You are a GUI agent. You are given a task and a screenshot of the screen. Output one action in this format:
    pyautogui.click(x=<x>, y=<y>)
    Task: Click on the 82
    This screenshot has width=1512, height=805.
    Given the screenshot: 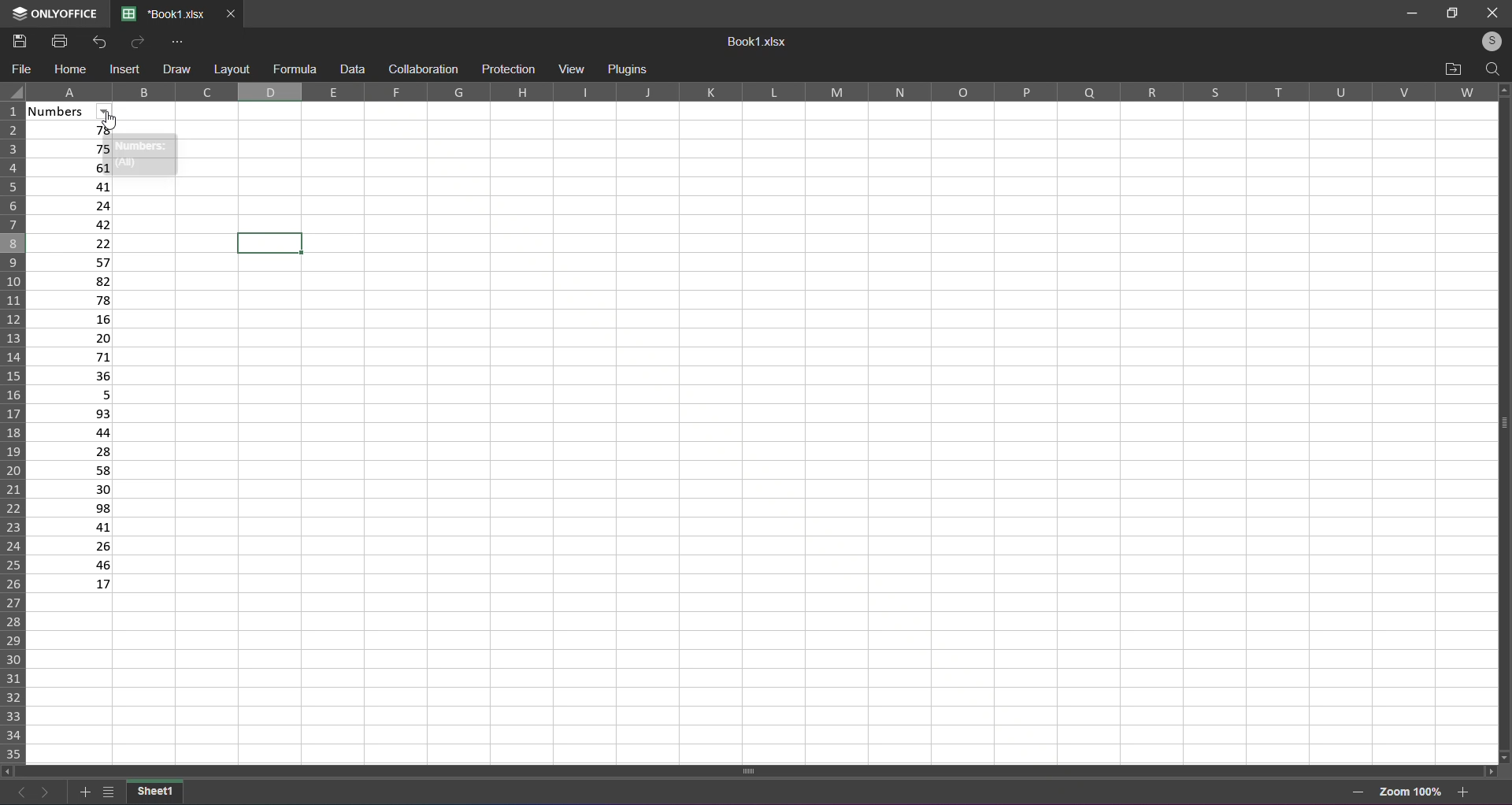 What is the action you would take?
    pyautogui.click(x=74, y=280)
    